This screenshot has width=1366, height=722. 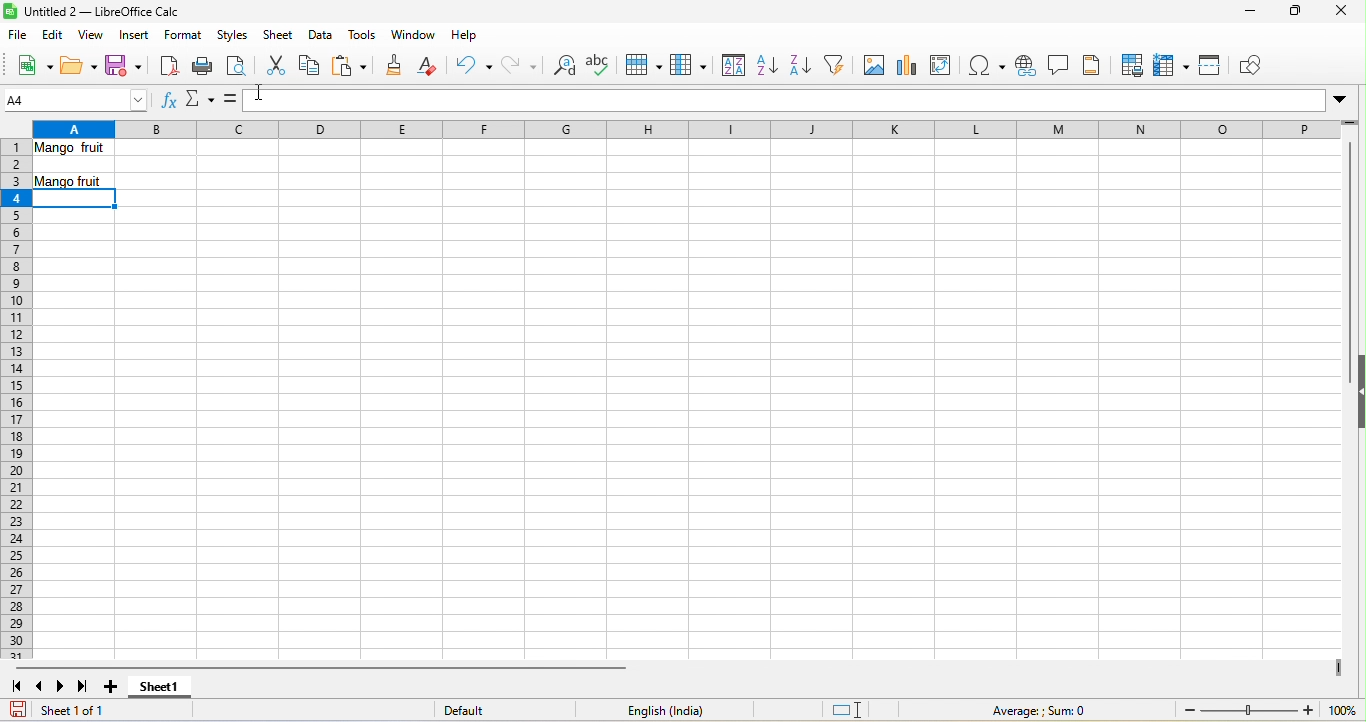 What do you see at coordinates (280, 35) in the screenshot?
I see `sheet` at bounding box center [280, 35].